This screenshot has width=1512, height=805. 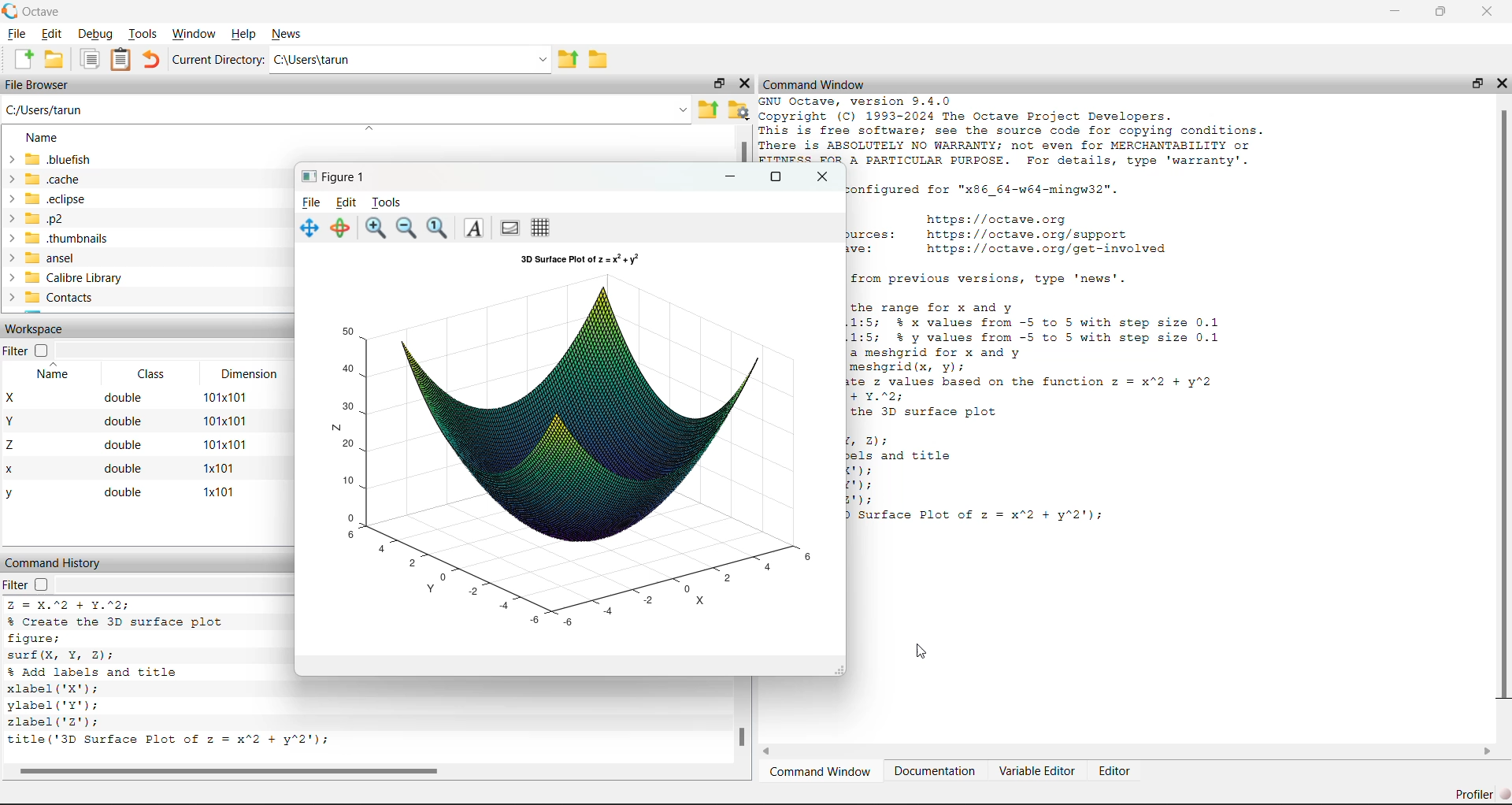 What do you see at coordinates (404, 228) in the screenshot?
I see `Zoom out` at bounding box center [404, 228].